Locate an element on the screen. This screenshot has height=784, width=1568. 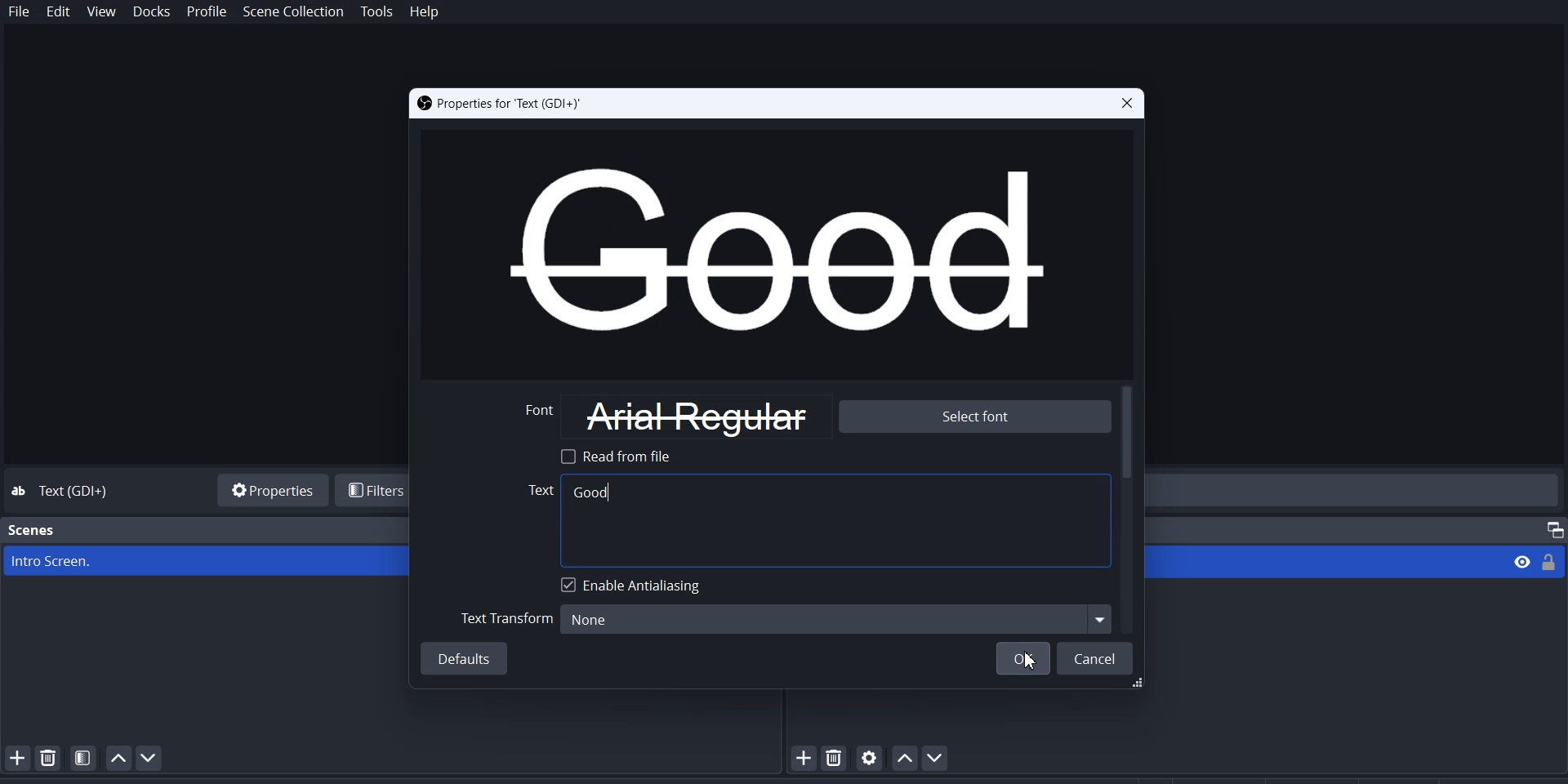
Help is located at coordinates (424, 13).